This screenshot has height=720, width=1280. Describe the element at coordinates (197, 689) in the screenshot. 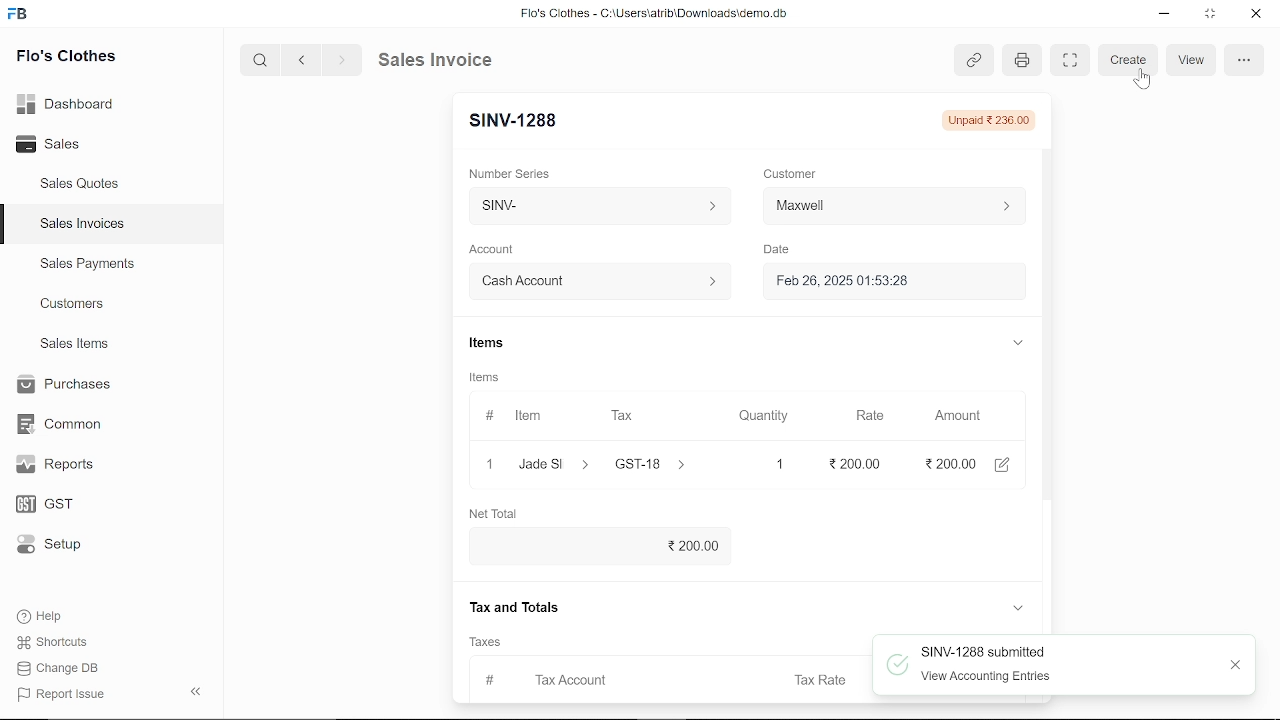

I see `hide` at that location.